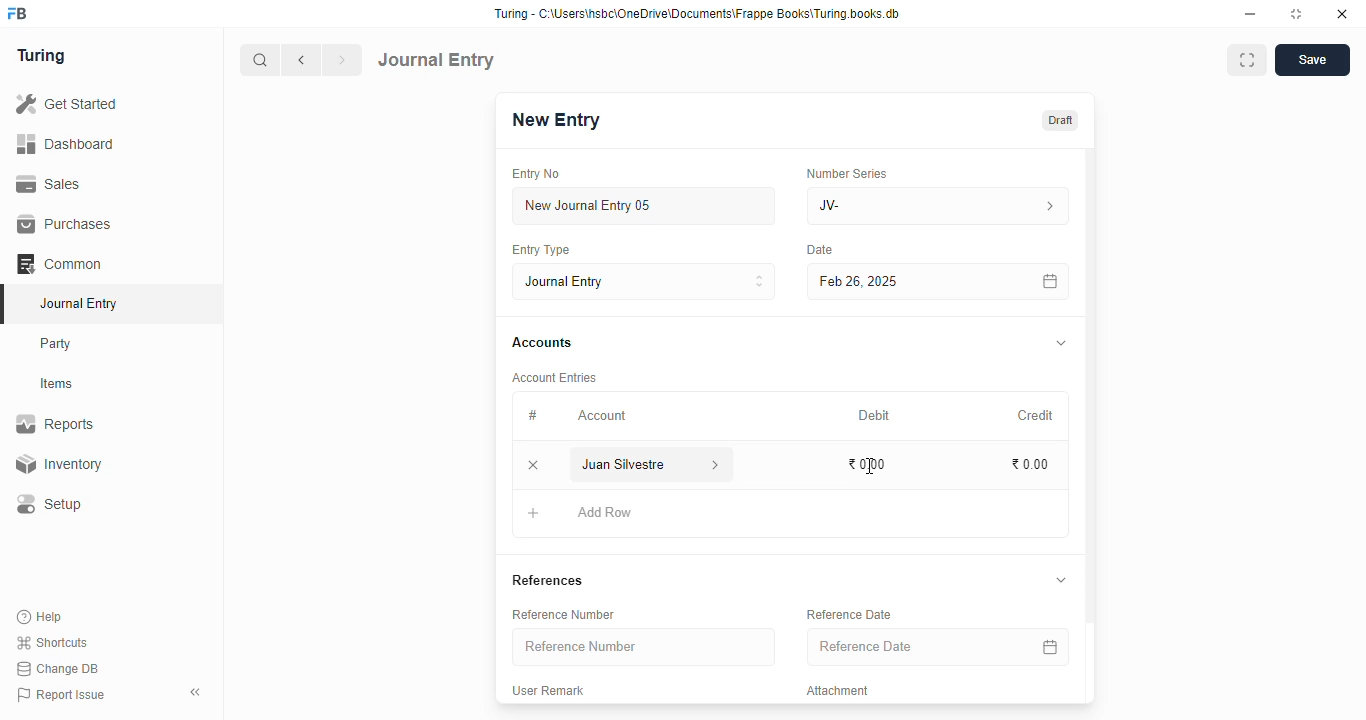 The width and height of the screenshot is (1366, 720). What do you see at coordinates (51, 505) in the screenshot?
I see `setup` at bounding box center [51, 505].